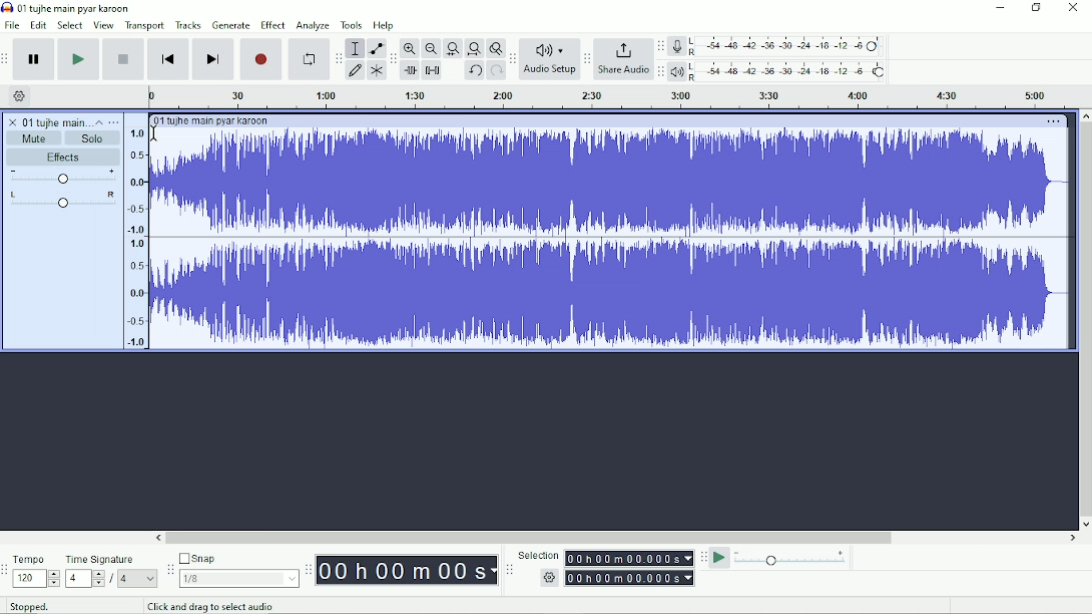  What do you see at coordinates (67, 157) in the screenshot?
I see `Effects` at bounding box center [67, 157].